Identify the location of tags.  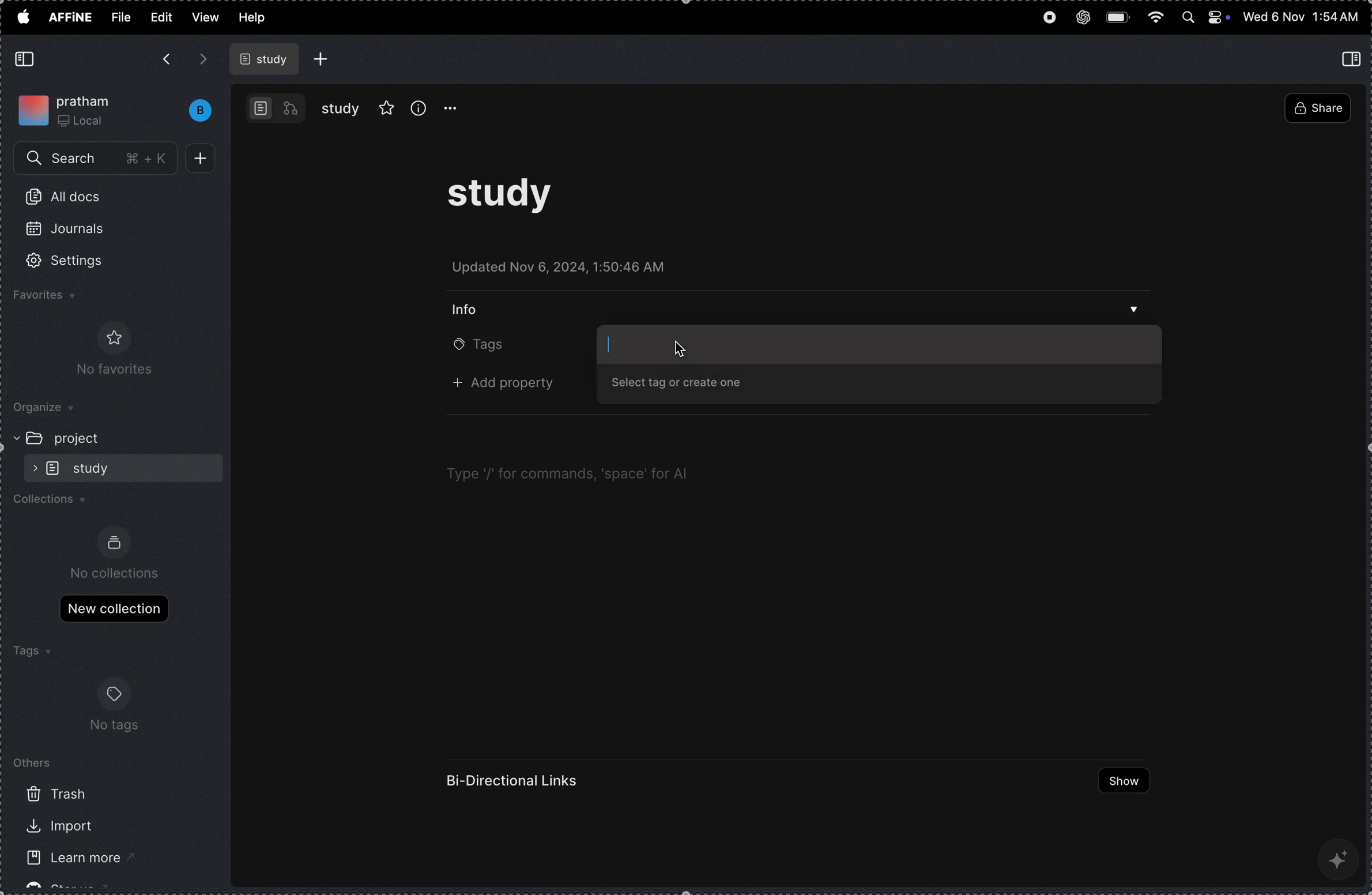
(31, 652).